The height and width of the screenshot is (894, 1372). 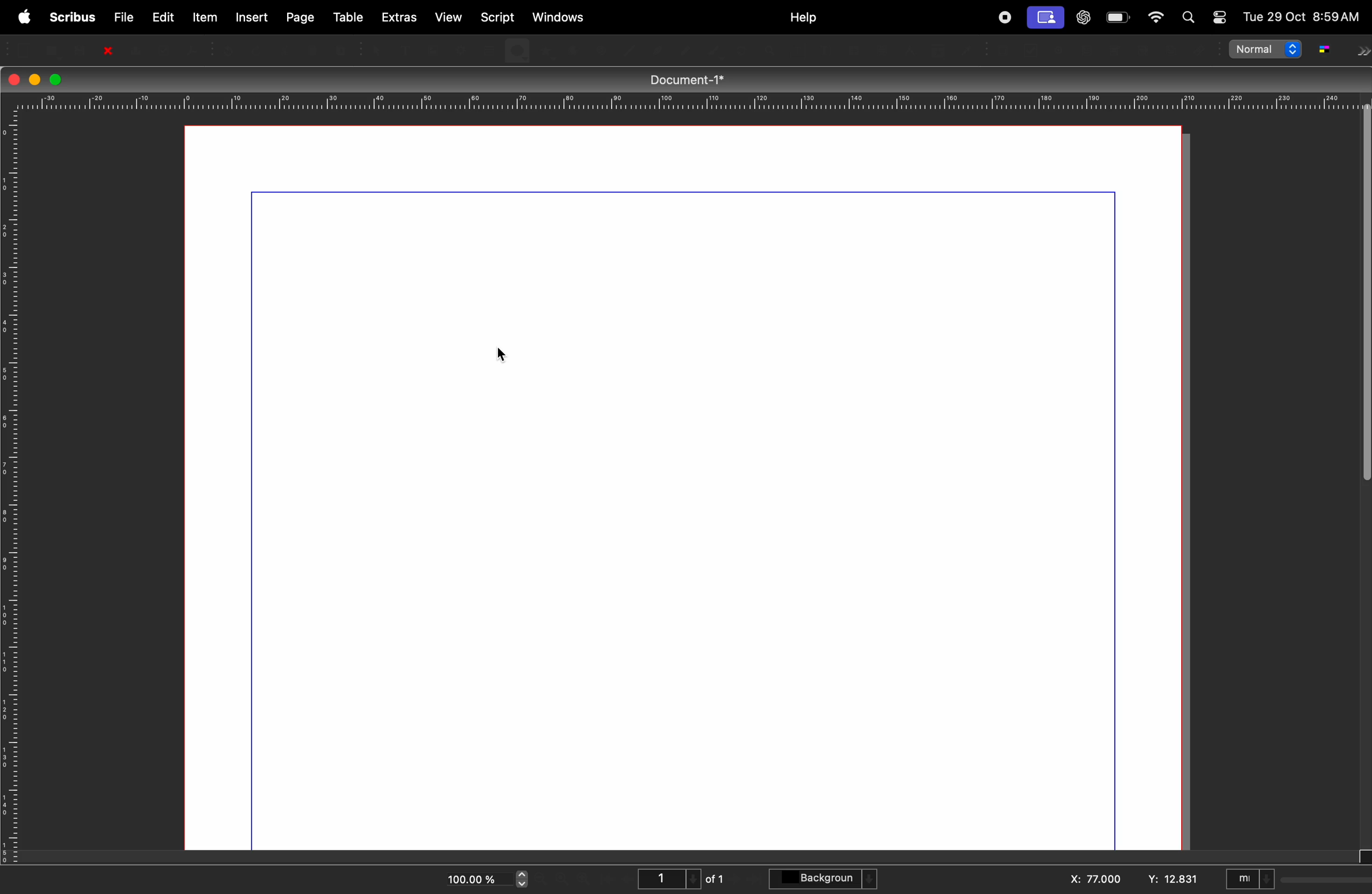 I want to click on Undo, so click(x=230, y=48).